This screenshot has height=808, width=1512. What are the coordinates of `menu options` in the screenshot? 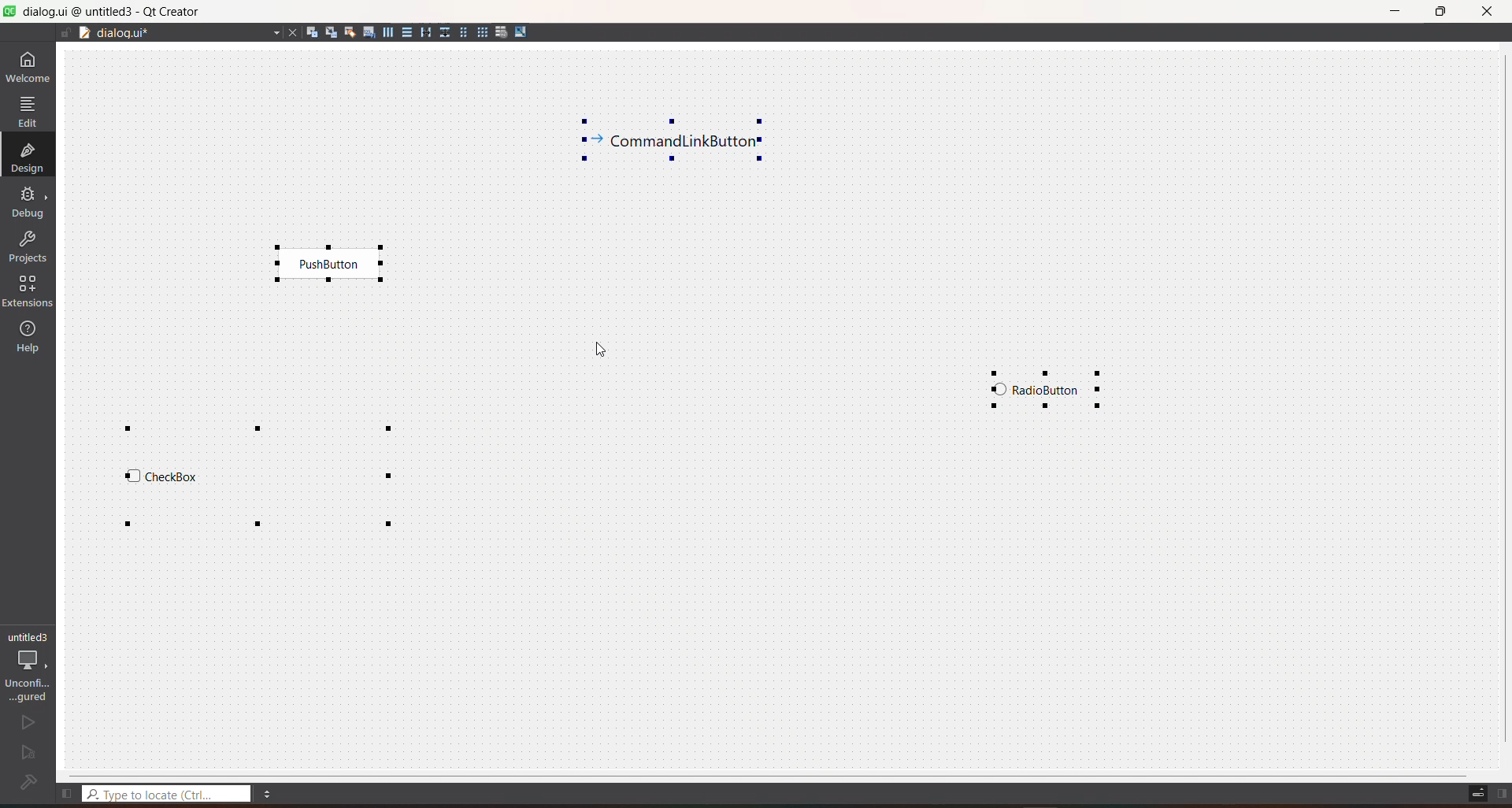 It's located at (269, 795).